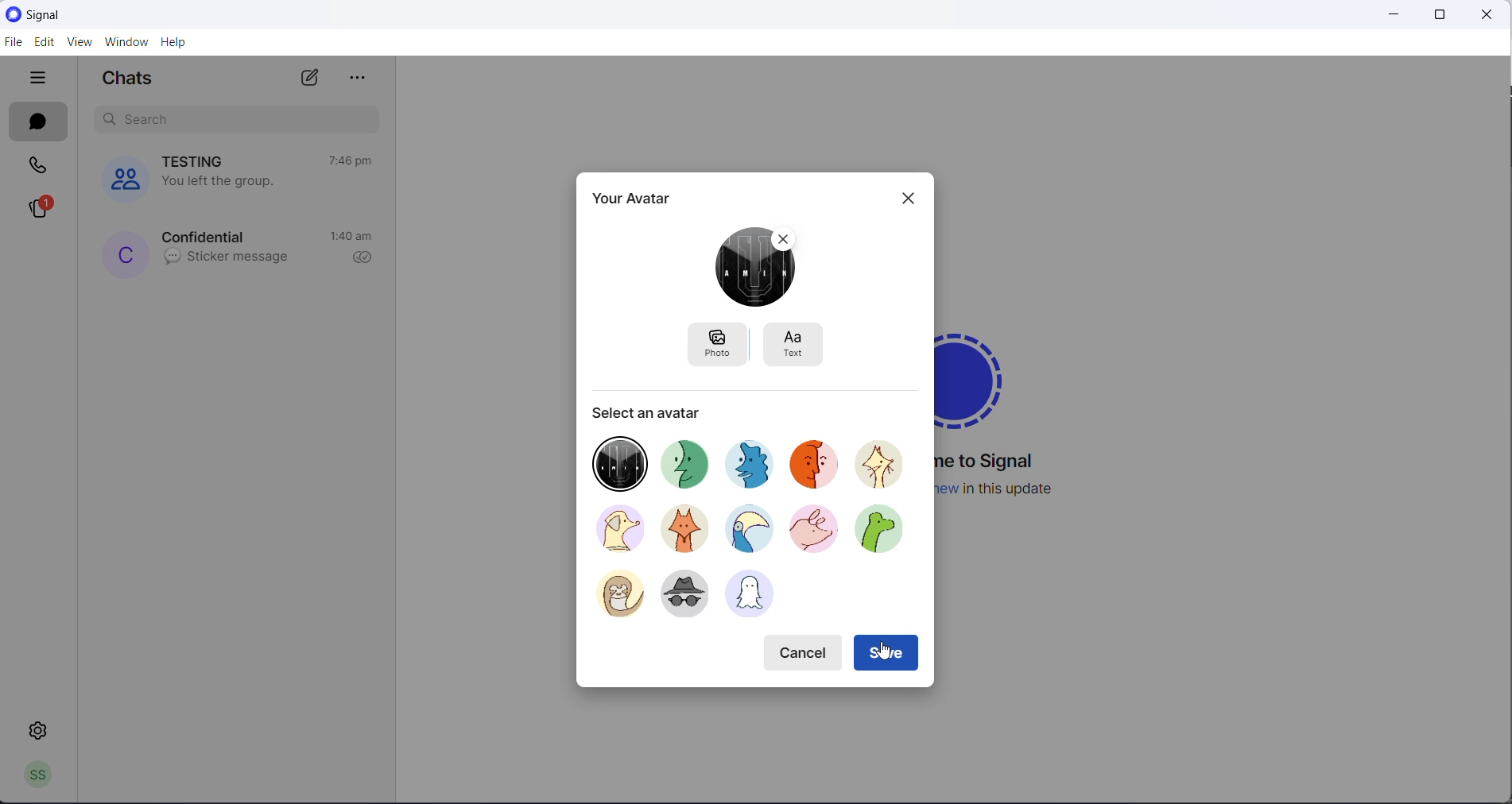 Image resolution: width=1512 pixels, height=804 pixels. Describe the element at coordinates (688, 596) in the screenshot. I see `avatar` at that location.